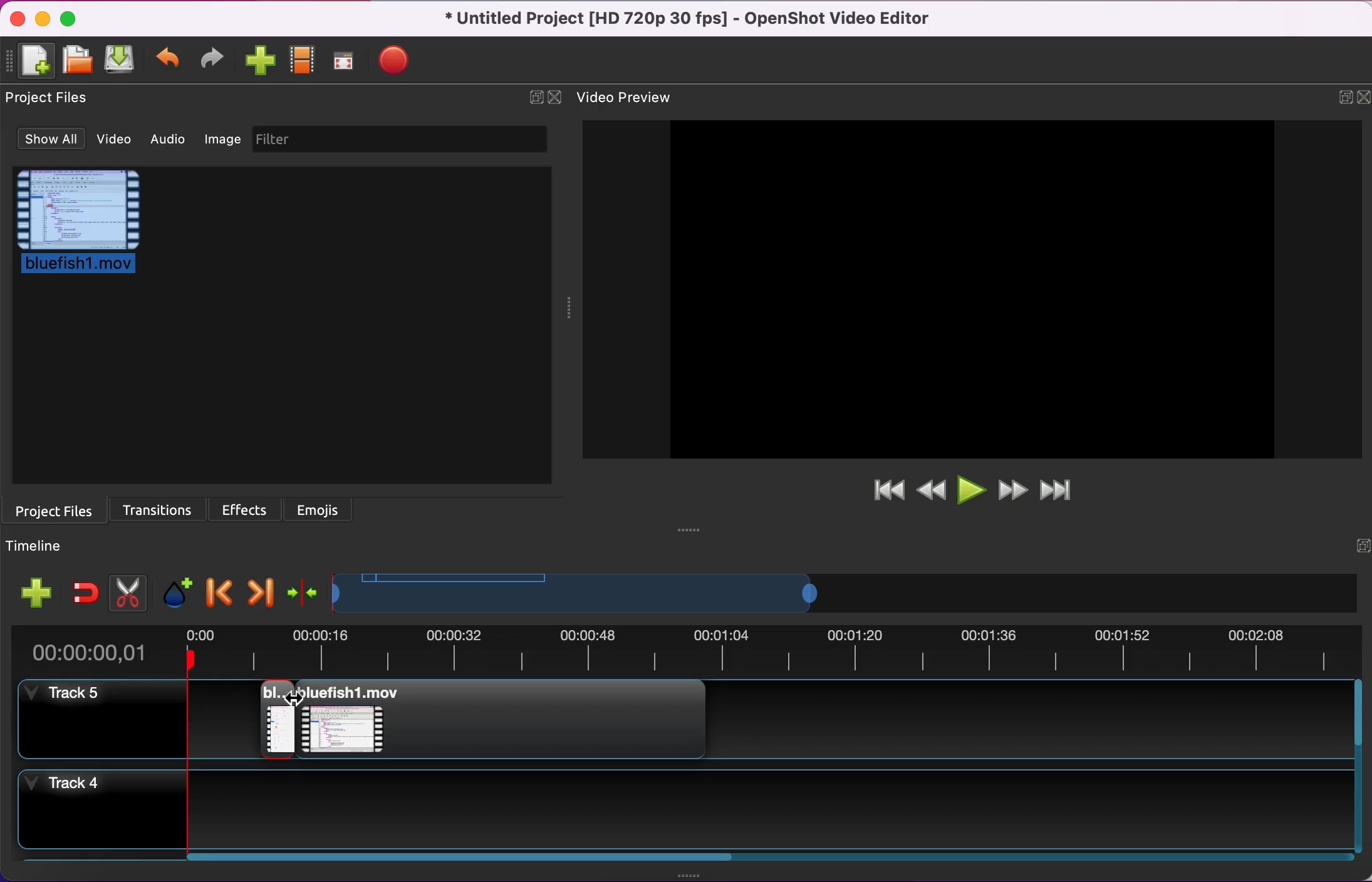 The image size is (1372, 882). I want to click on Cursor, so click(298, 702).